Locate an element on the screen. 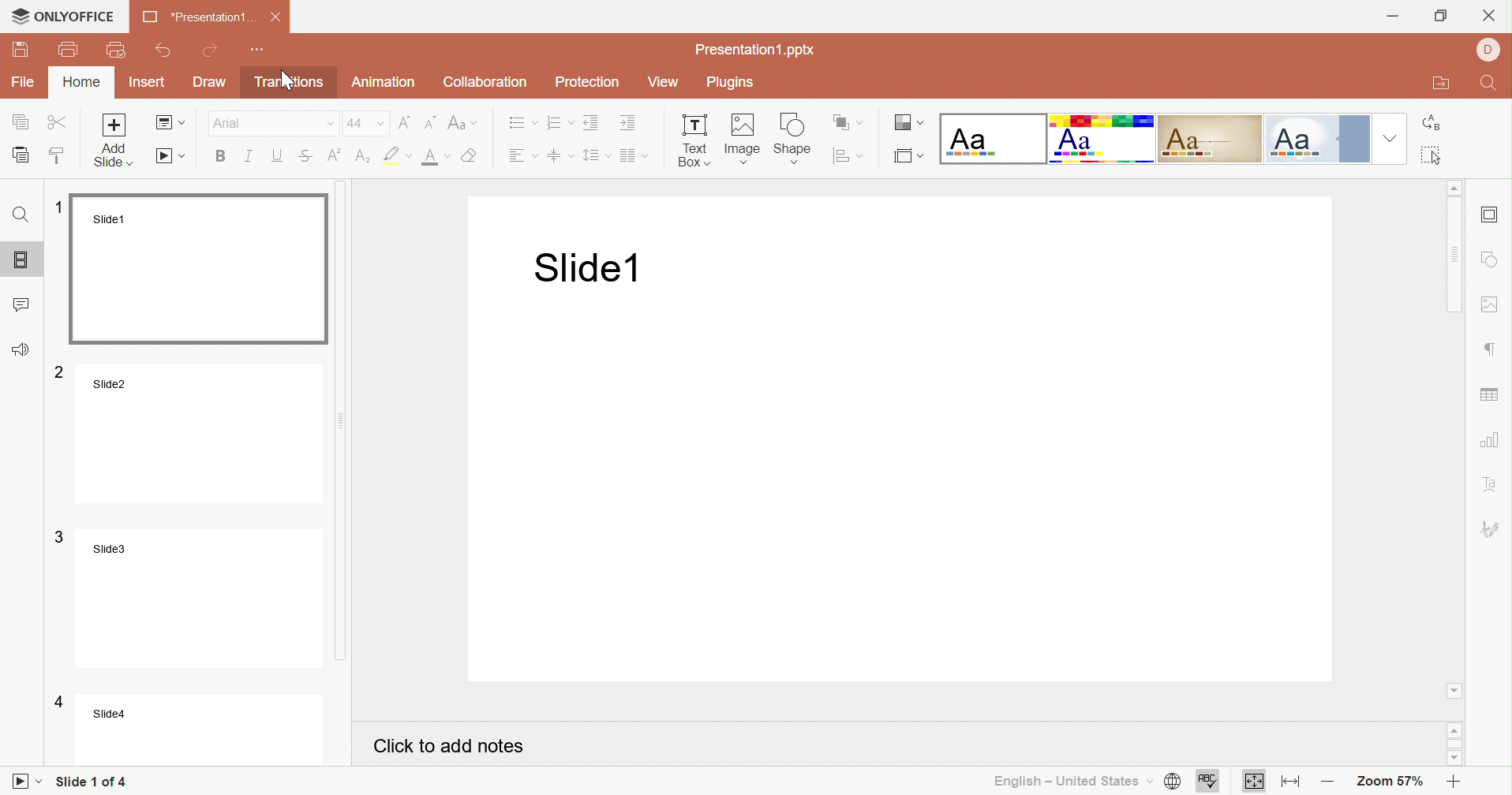 The image size is (1512, 795). Bullets is located at coordinates (522, 123).